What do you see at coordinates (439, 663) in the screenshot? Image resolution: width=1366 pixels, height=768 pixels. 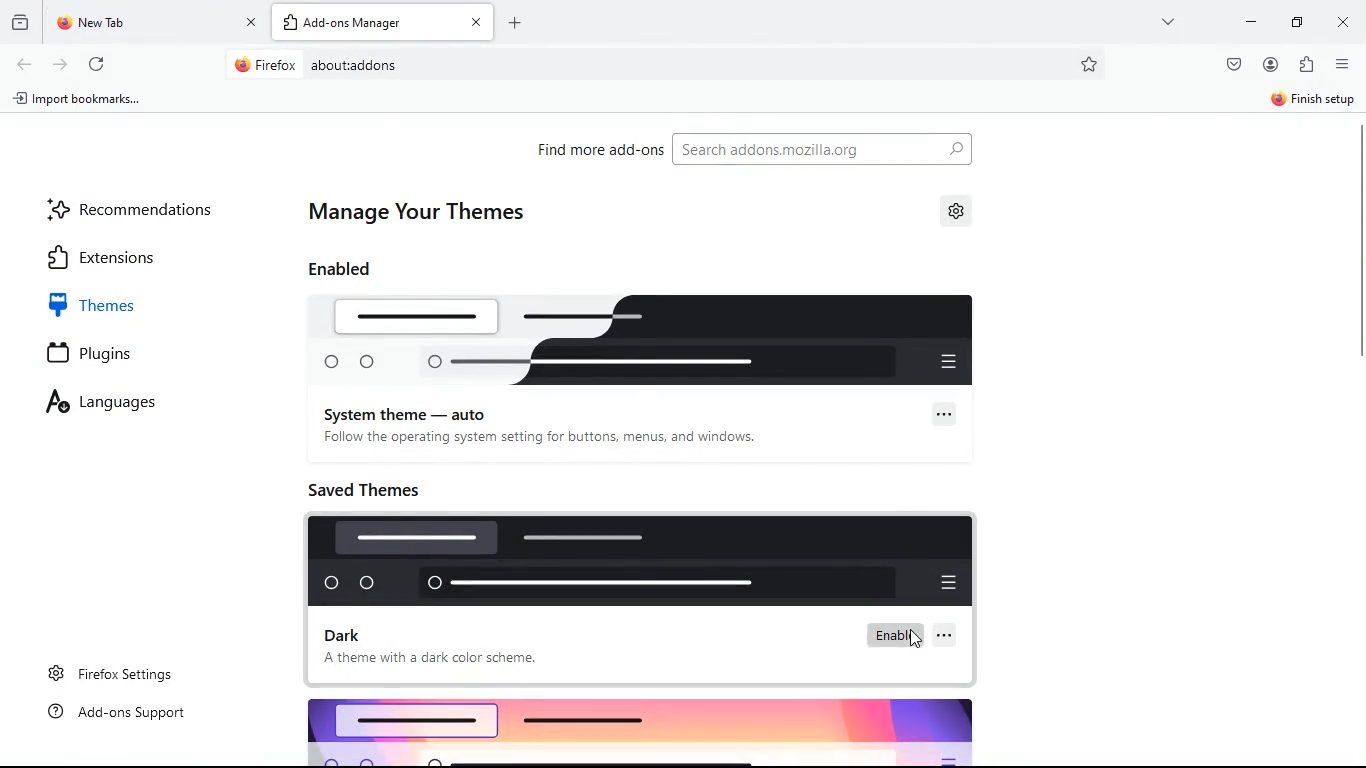 I see `description` at bounding box center [439, 663].